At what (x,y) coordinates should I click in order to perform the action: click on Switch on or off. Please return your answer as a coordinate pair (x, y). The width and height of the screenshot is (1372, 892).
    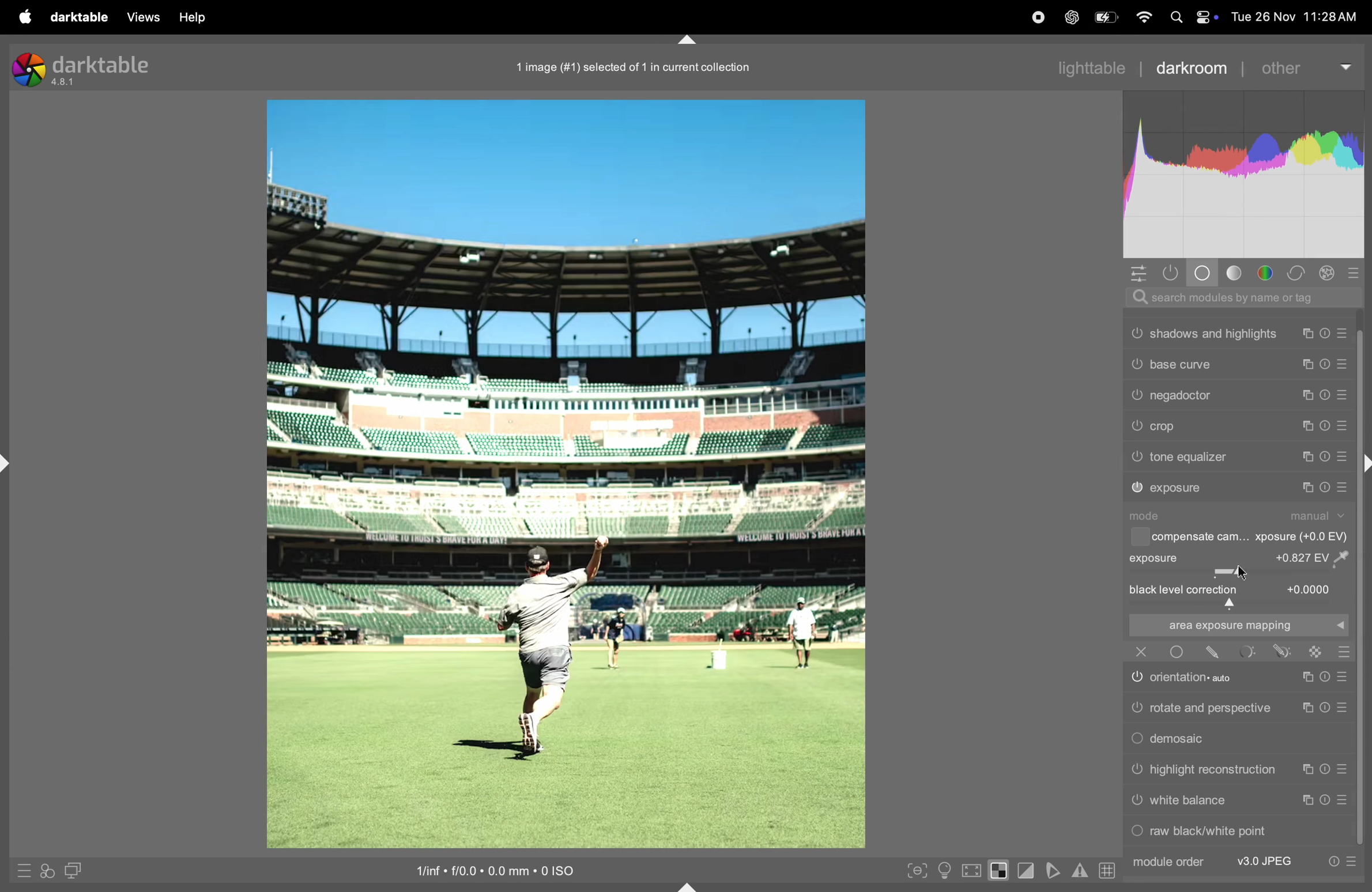
    Looking at the image, I should click on (1136, 363).